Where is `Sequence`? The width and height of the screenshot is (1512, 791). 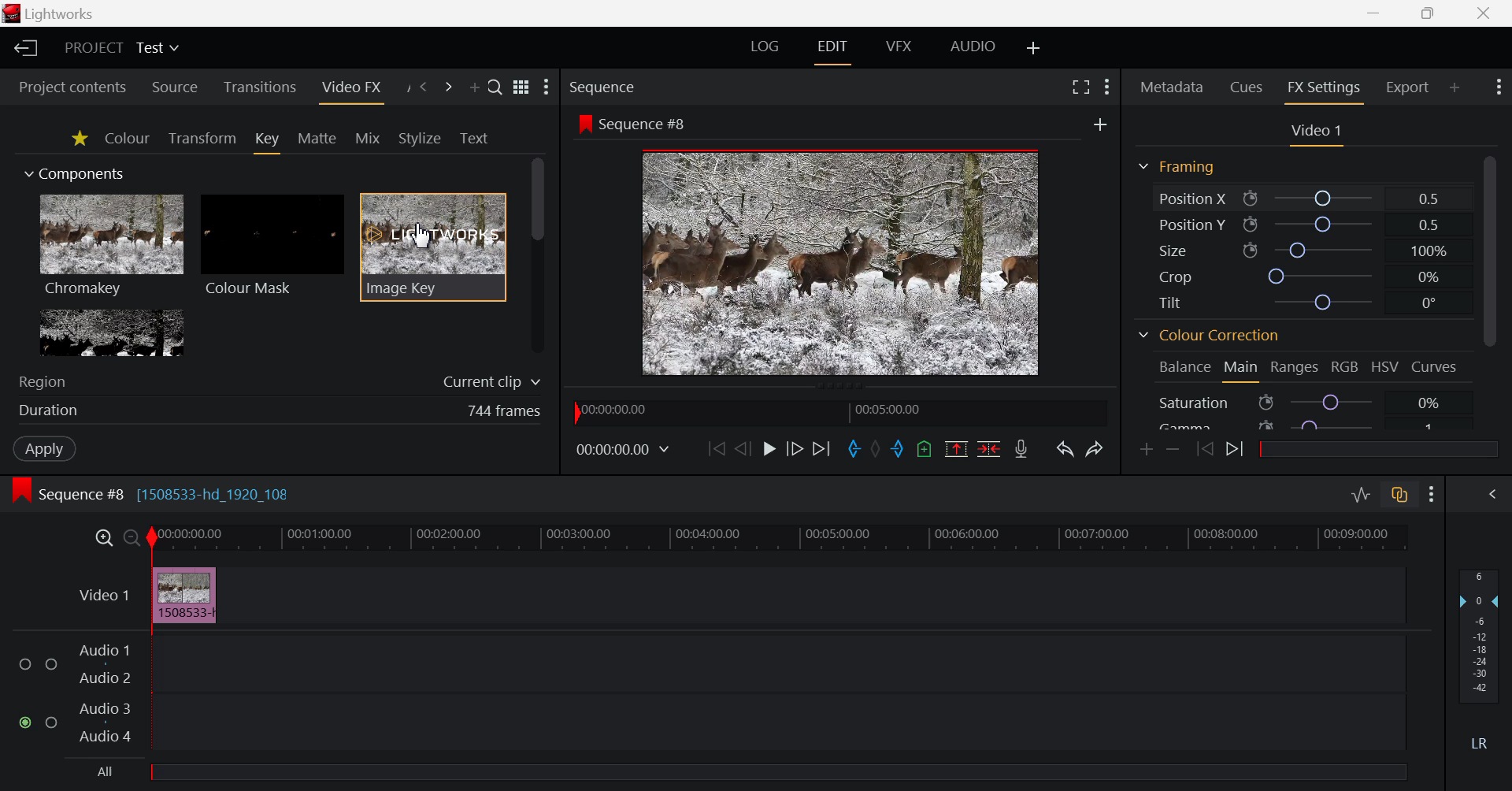 Sequence is located at coordinates (609, 86).